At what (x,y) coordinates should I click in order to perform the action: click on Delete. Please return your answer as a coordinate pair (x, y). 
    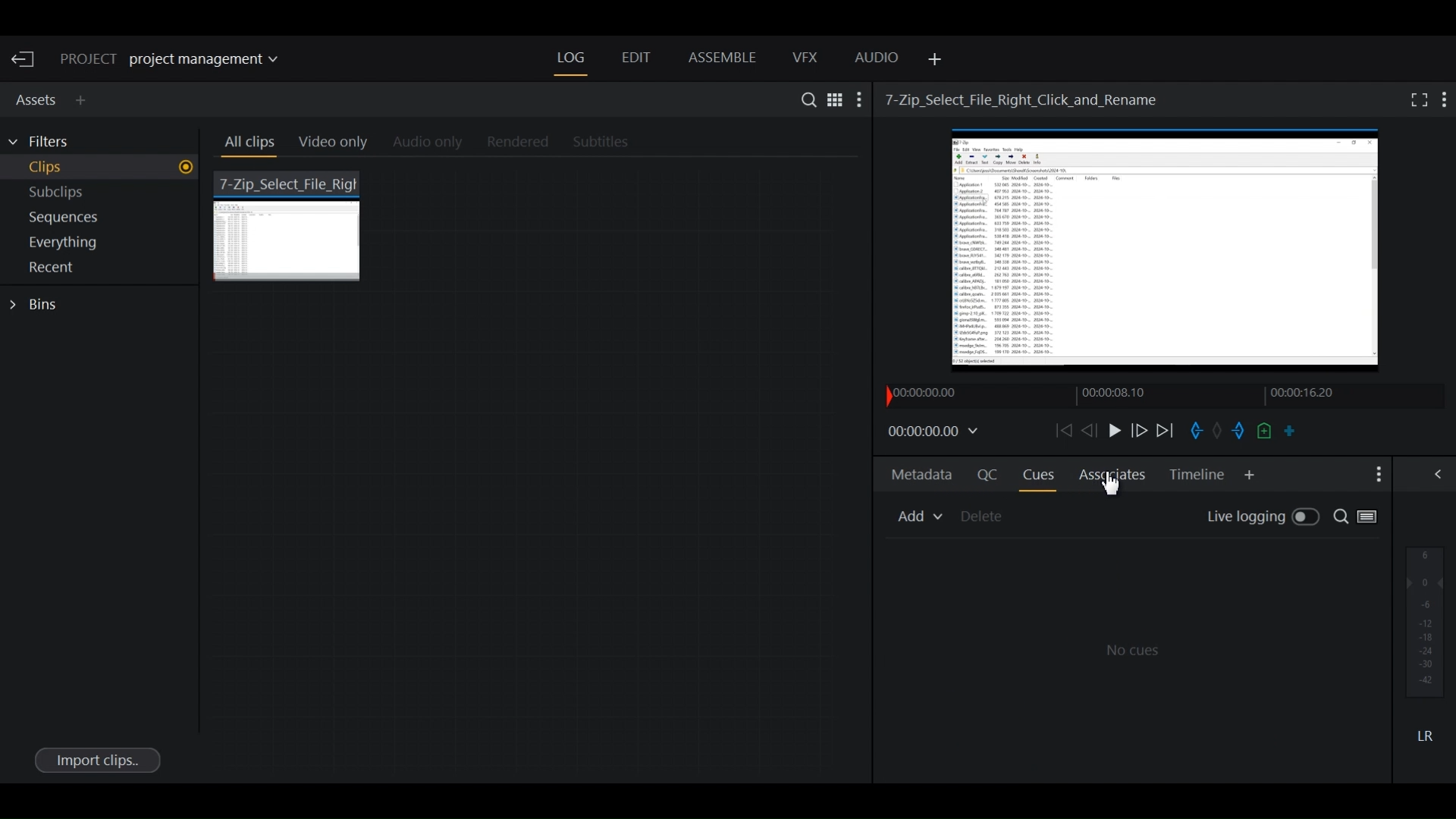
    Looking at the image, I should click on (984, 516).